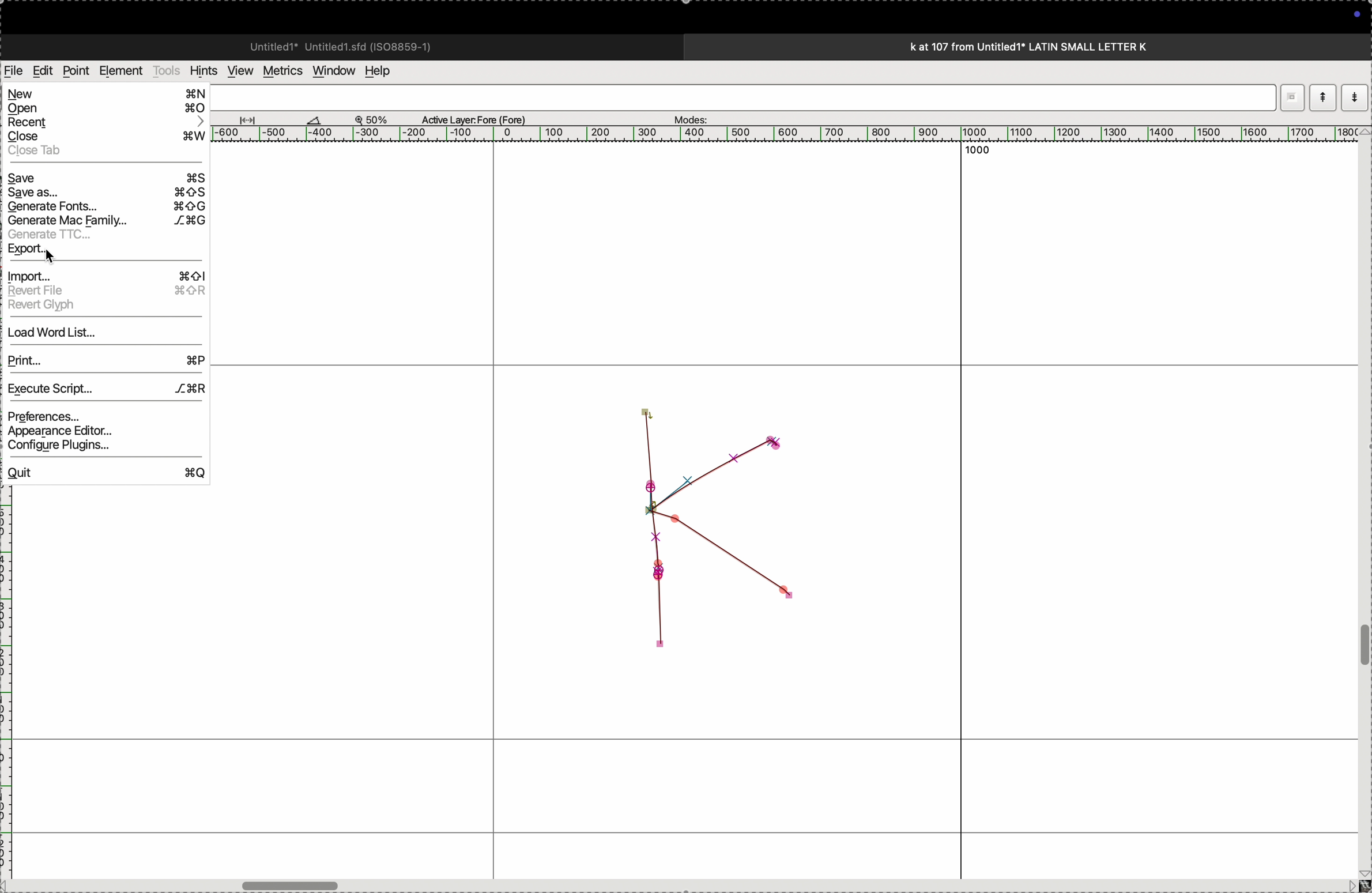 The image size is (1372, 893). Describe the element at coordinates (1322, 97) in the screenshot. I see `modeup` at that location.